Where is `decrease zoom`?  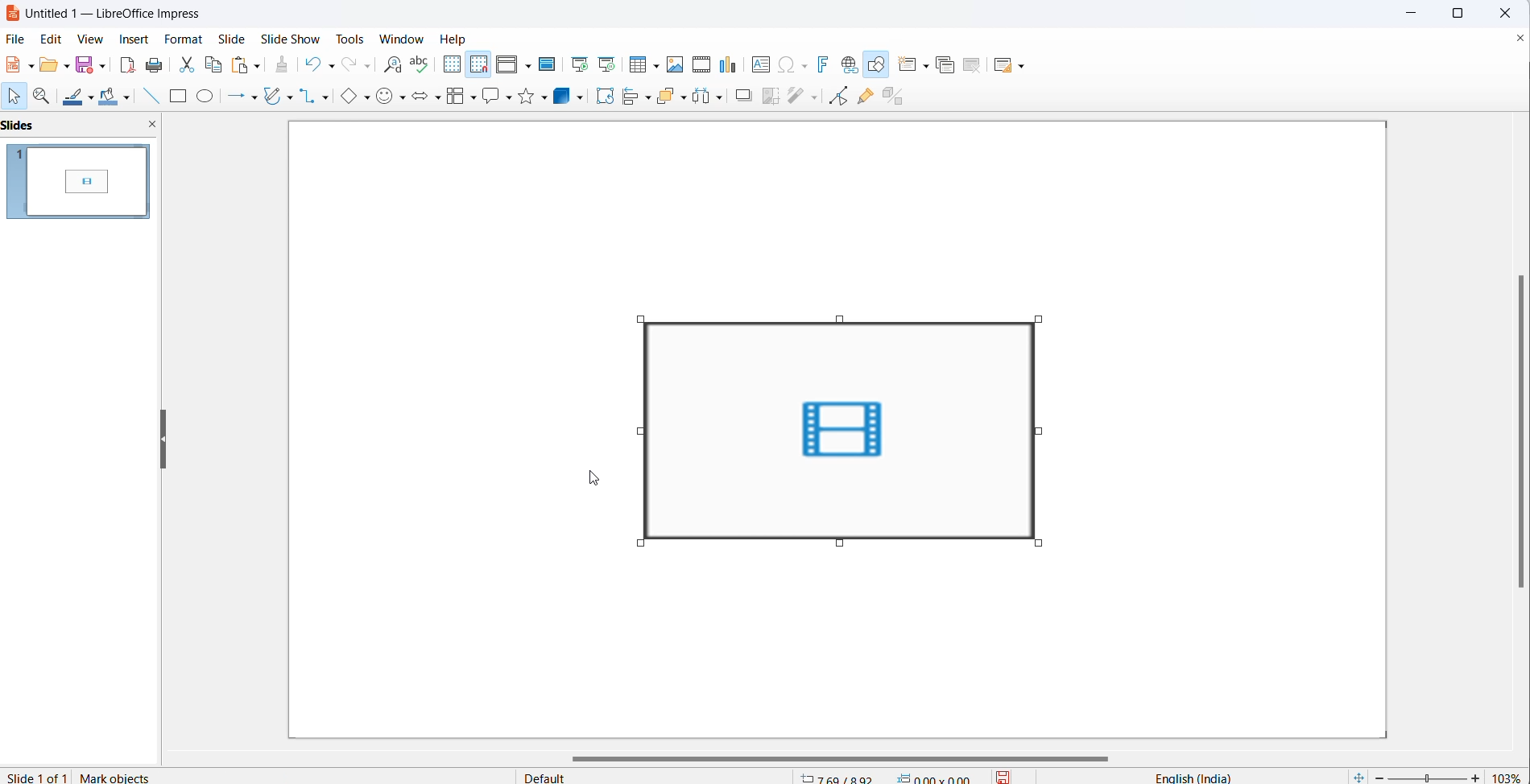
decrease zoom is located at coordinates (1378, 776).